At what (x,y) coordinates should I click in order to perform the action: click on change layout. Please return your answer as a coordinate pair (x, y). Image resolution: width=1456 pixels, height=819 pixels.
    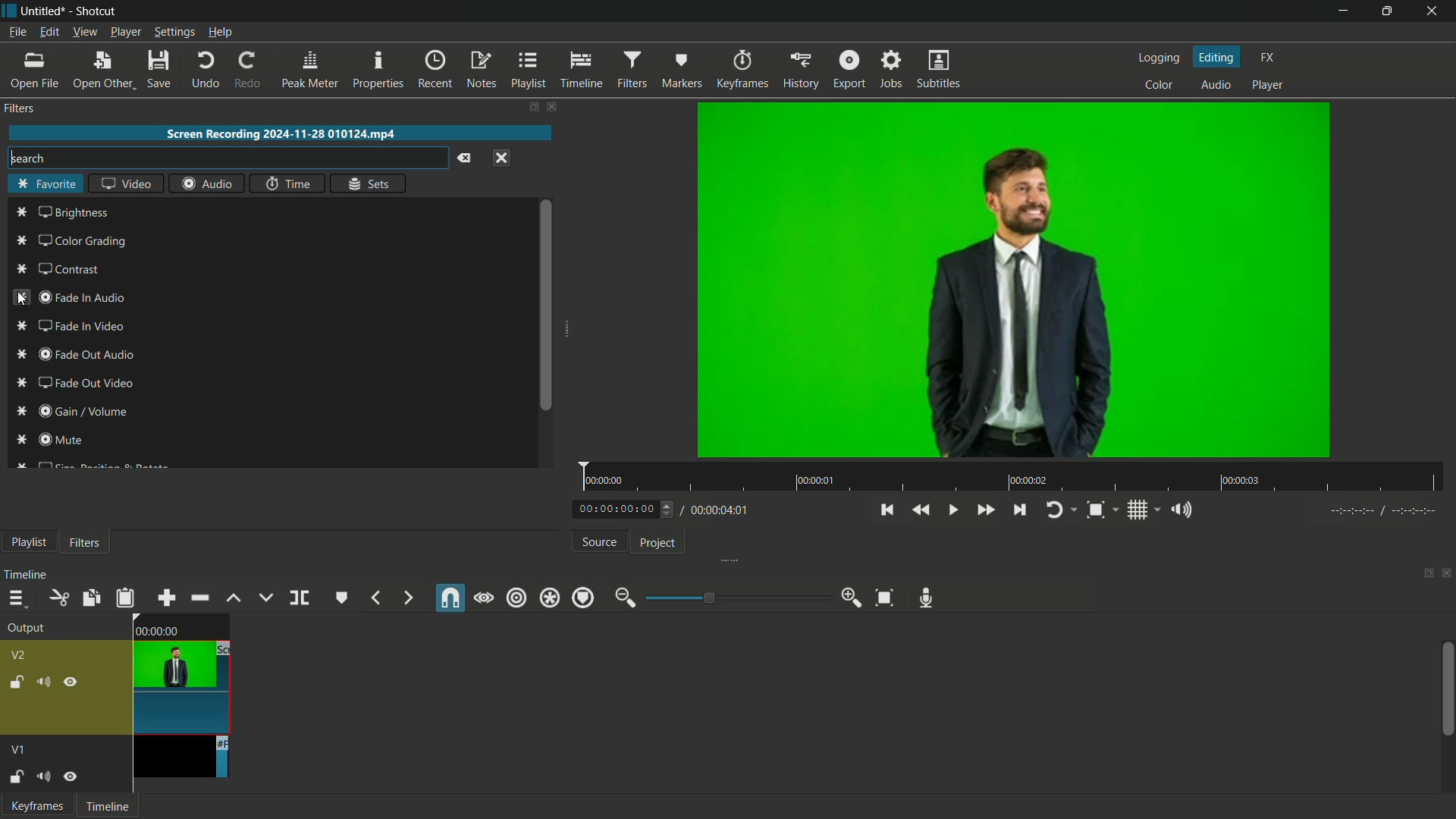
    Looking at the image, I should click on (1426, 573).